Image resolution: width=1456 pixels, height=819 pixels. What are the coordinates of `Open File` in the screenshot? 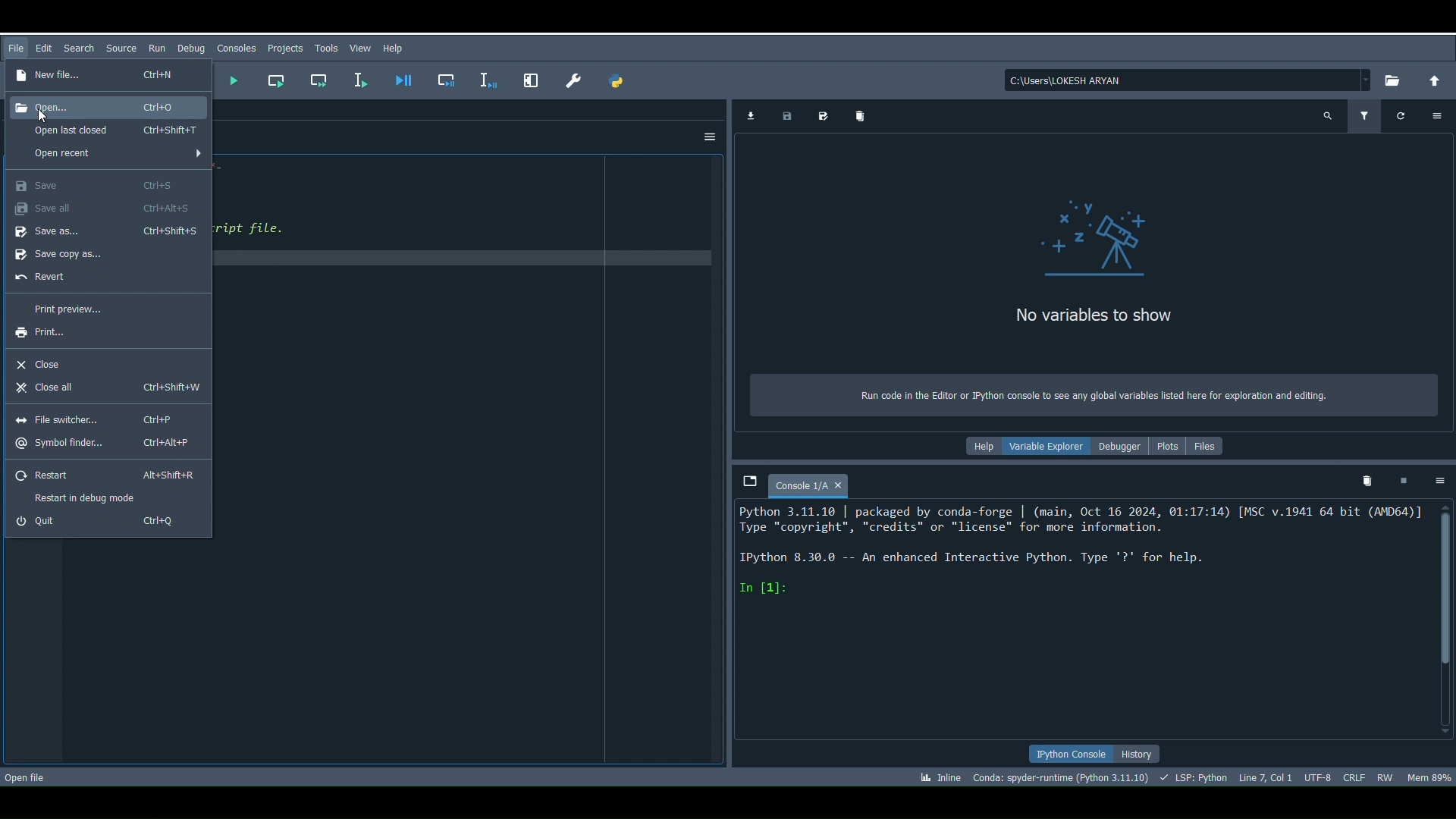 It's located at (25, 776).